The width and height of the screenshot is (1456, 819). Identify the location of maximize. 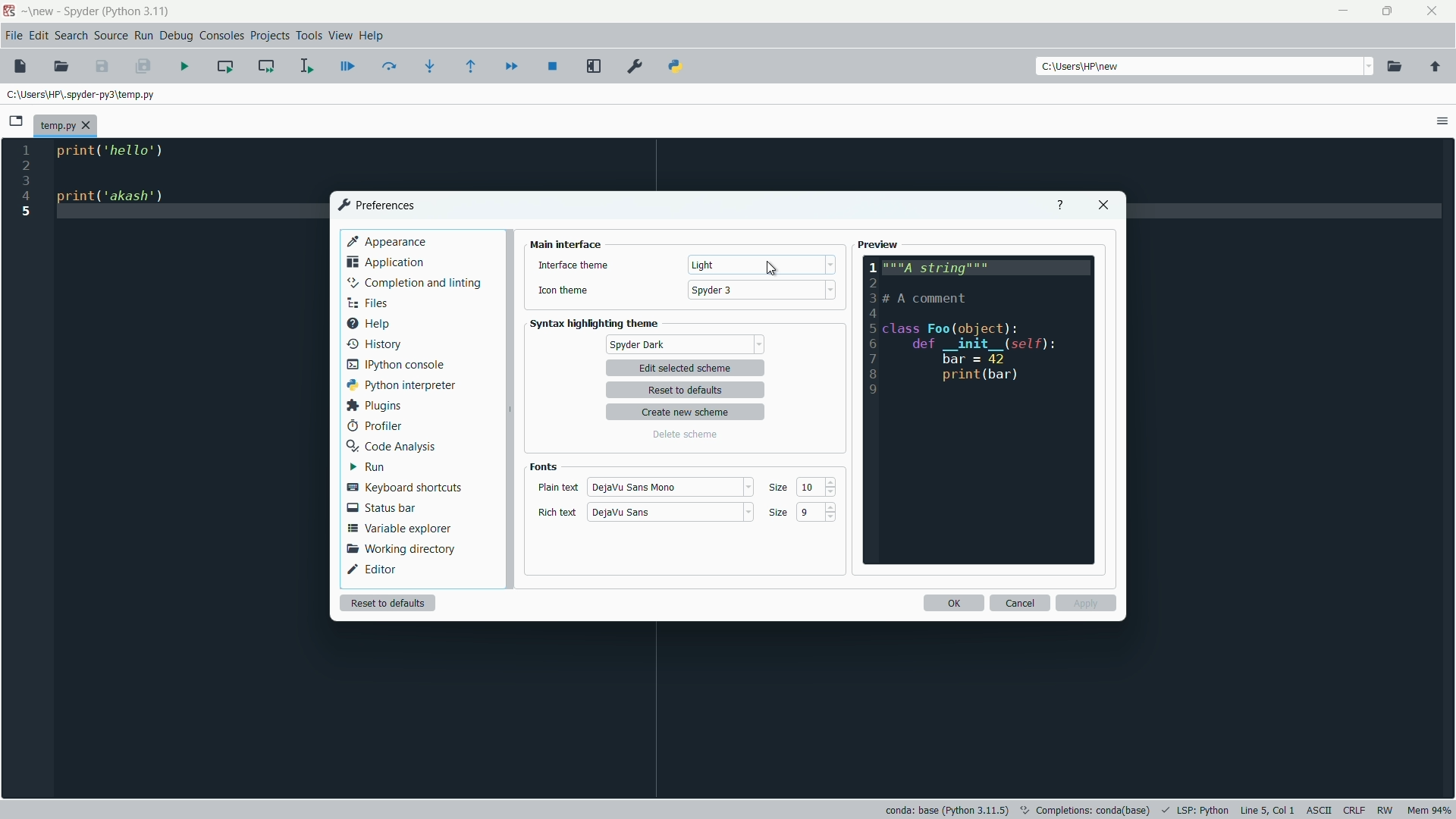
(1389, 12).